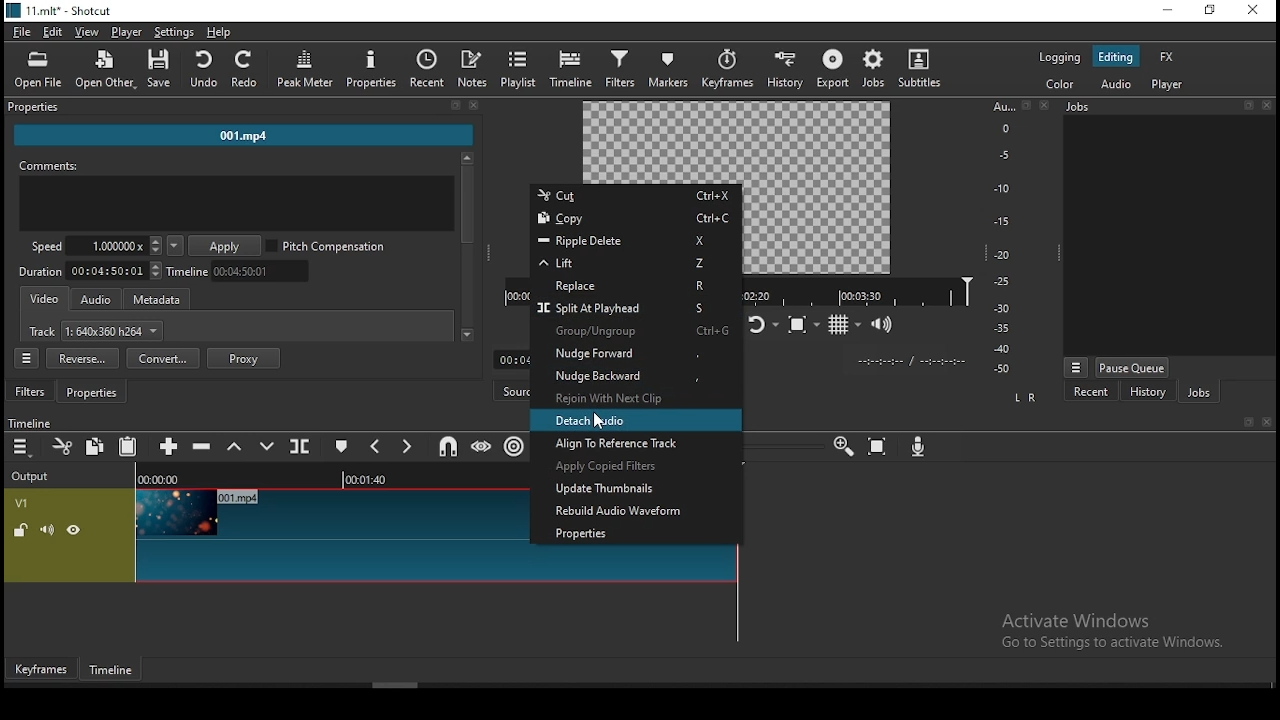 This screenshot has width=1280, height=720. I want to click on properties, so click(240, 106).